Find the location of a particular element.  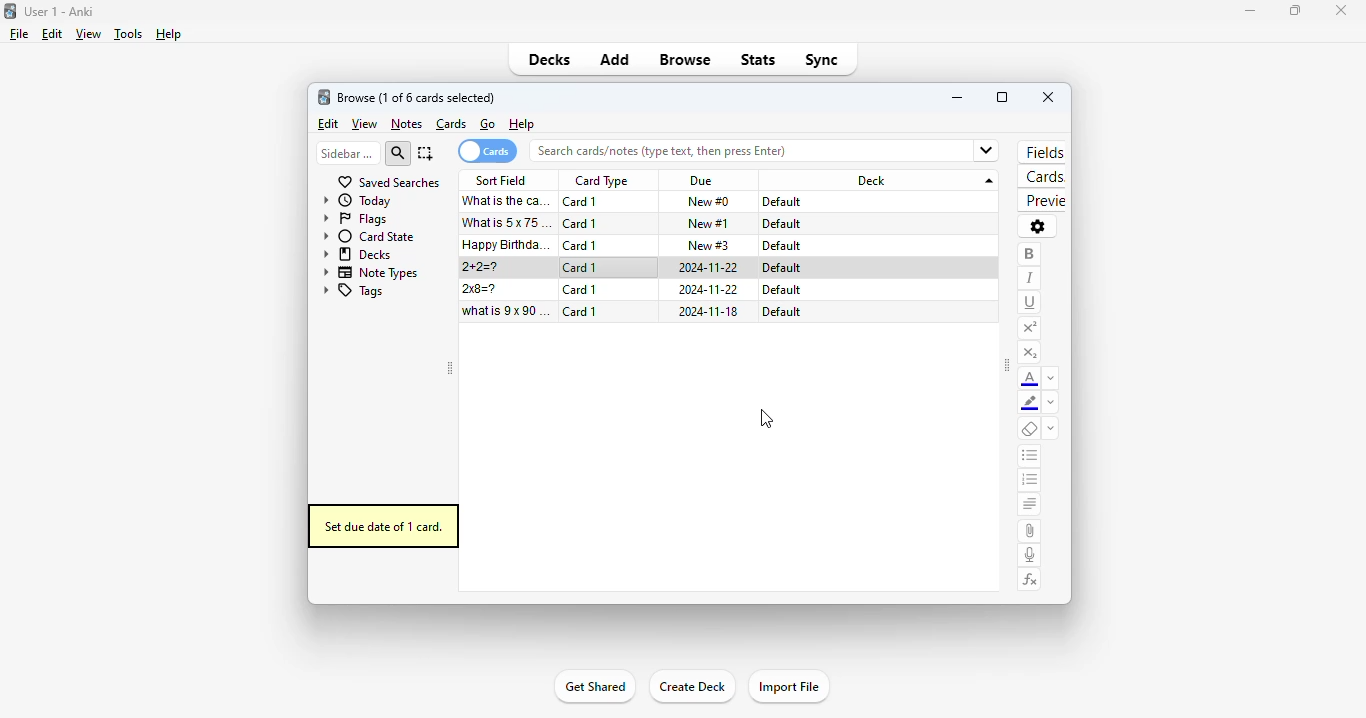

toggle sidebar is located at coordinates (449, 369).